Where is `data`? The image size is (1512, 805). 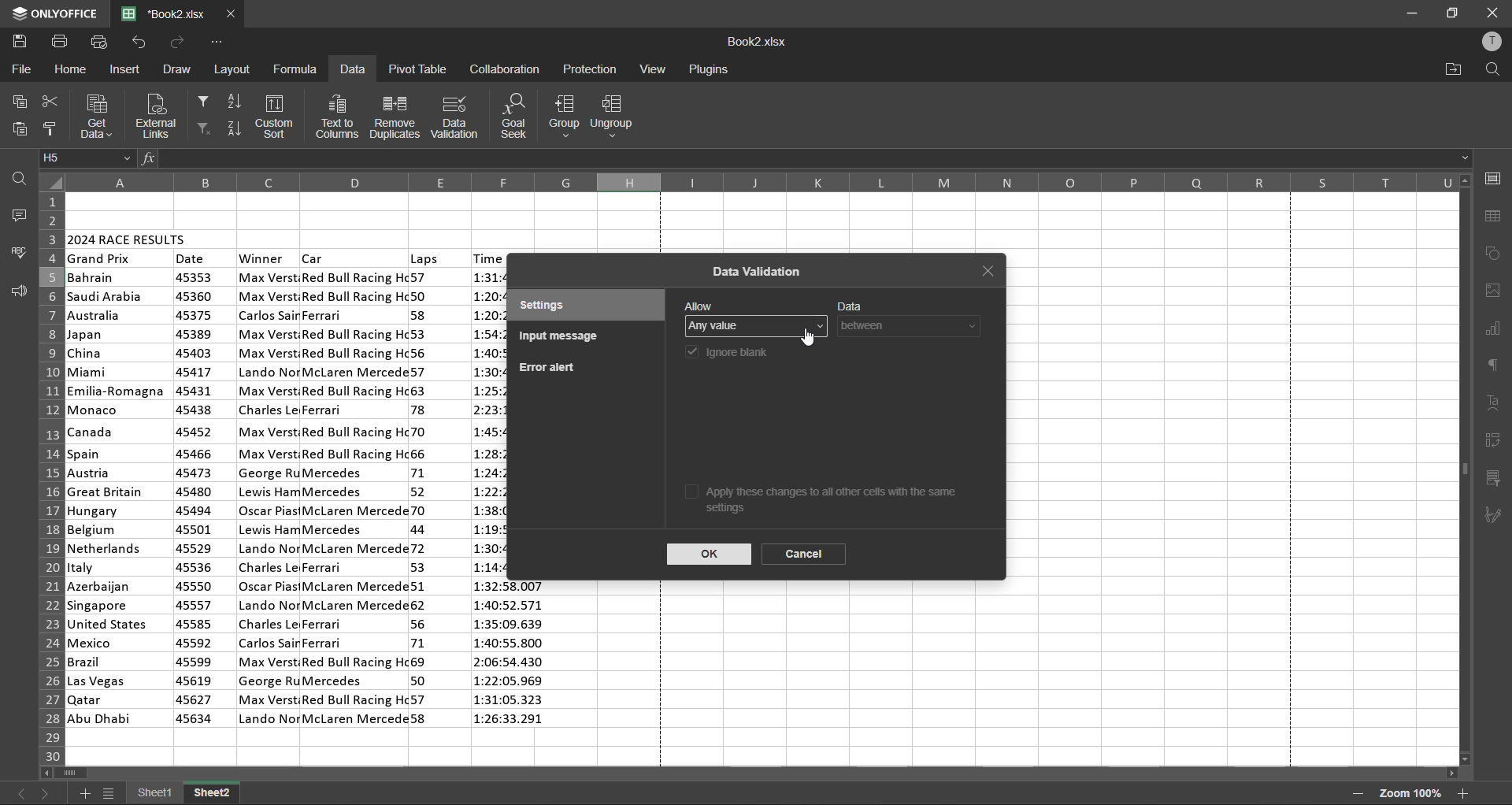 data is located at coordinates (352, 71).